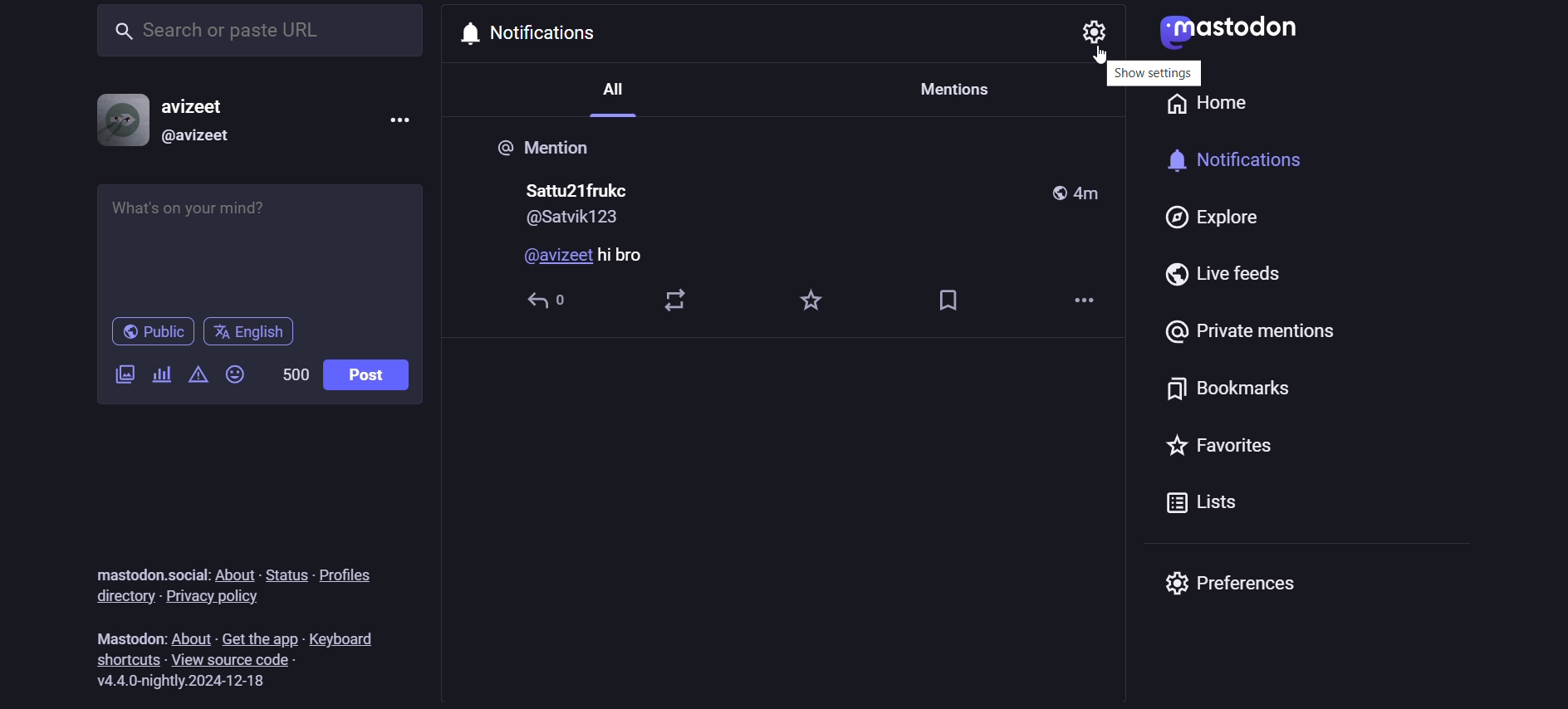 The height and width of the screenshot is (709, 1568). What do you see at coordinates (1225, 33) in the screenshot?
I see `mastodon logo` at bounding box center [1225, 33].